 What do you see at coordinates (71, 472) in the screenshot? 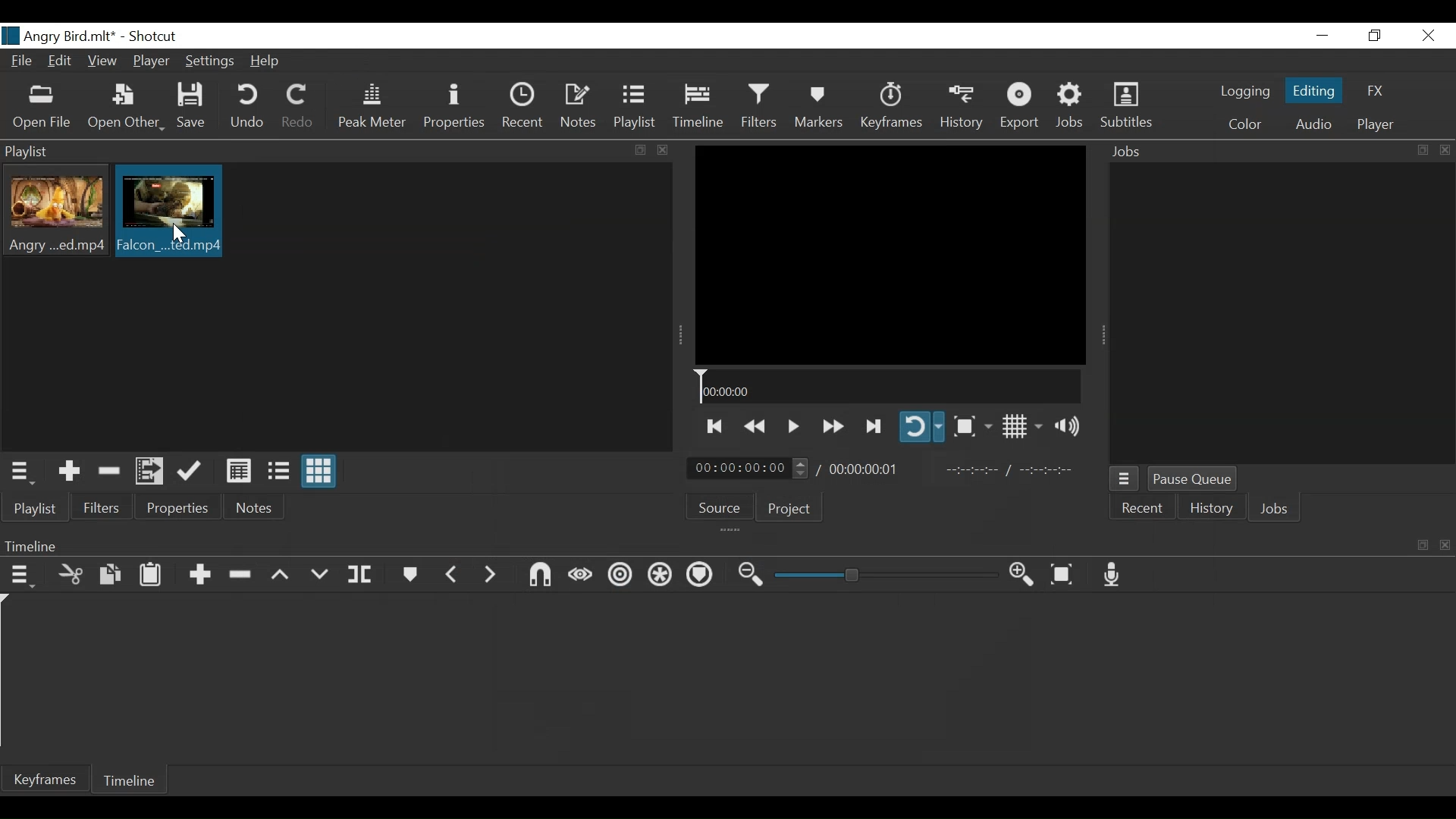
I see `Add the source to the playlist` at bounding box center [71, 472].